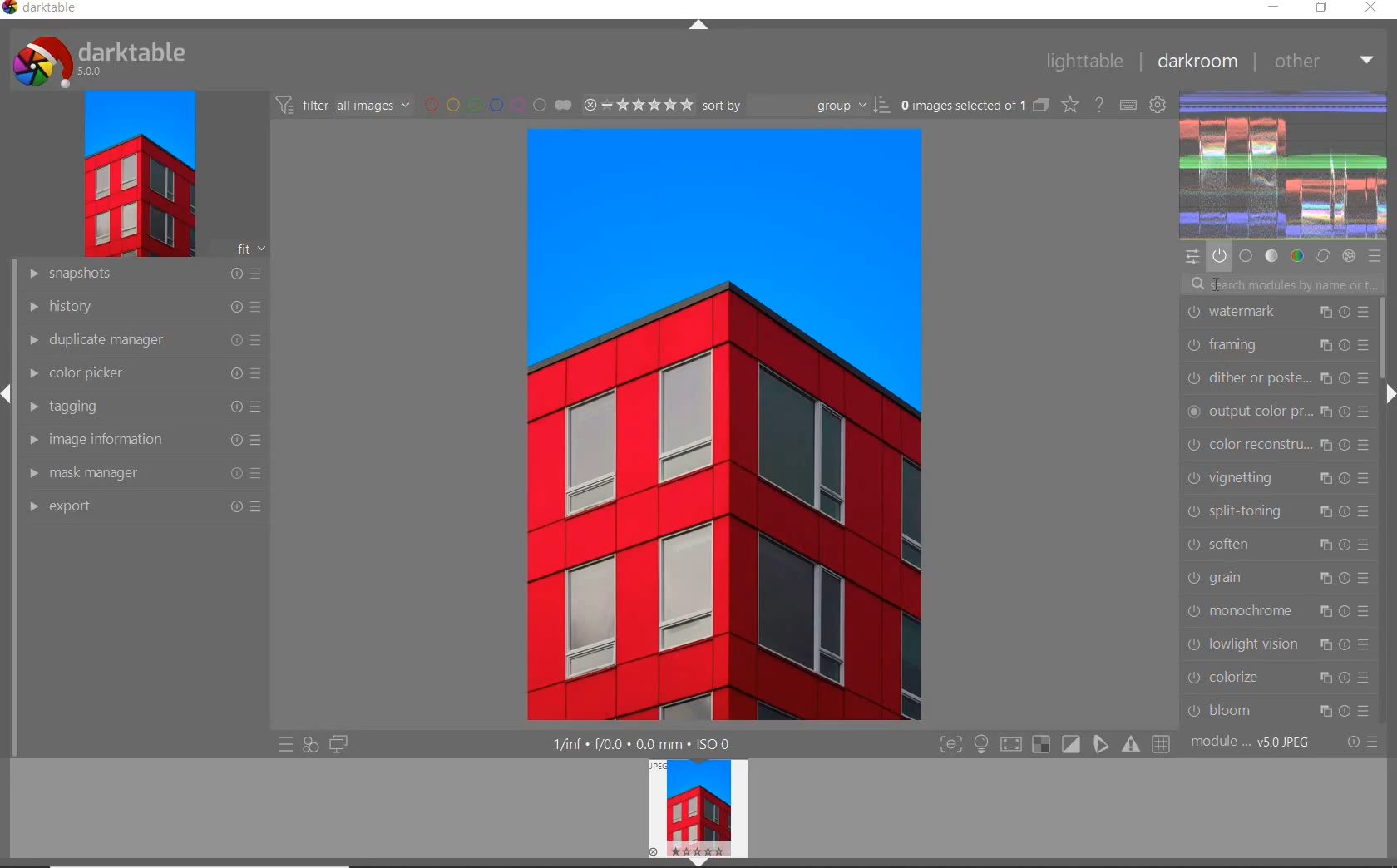  What do you see at coordinates (286, 746) in the screenshot?
I see `quick access to presets` at bounding box center [286, 746].